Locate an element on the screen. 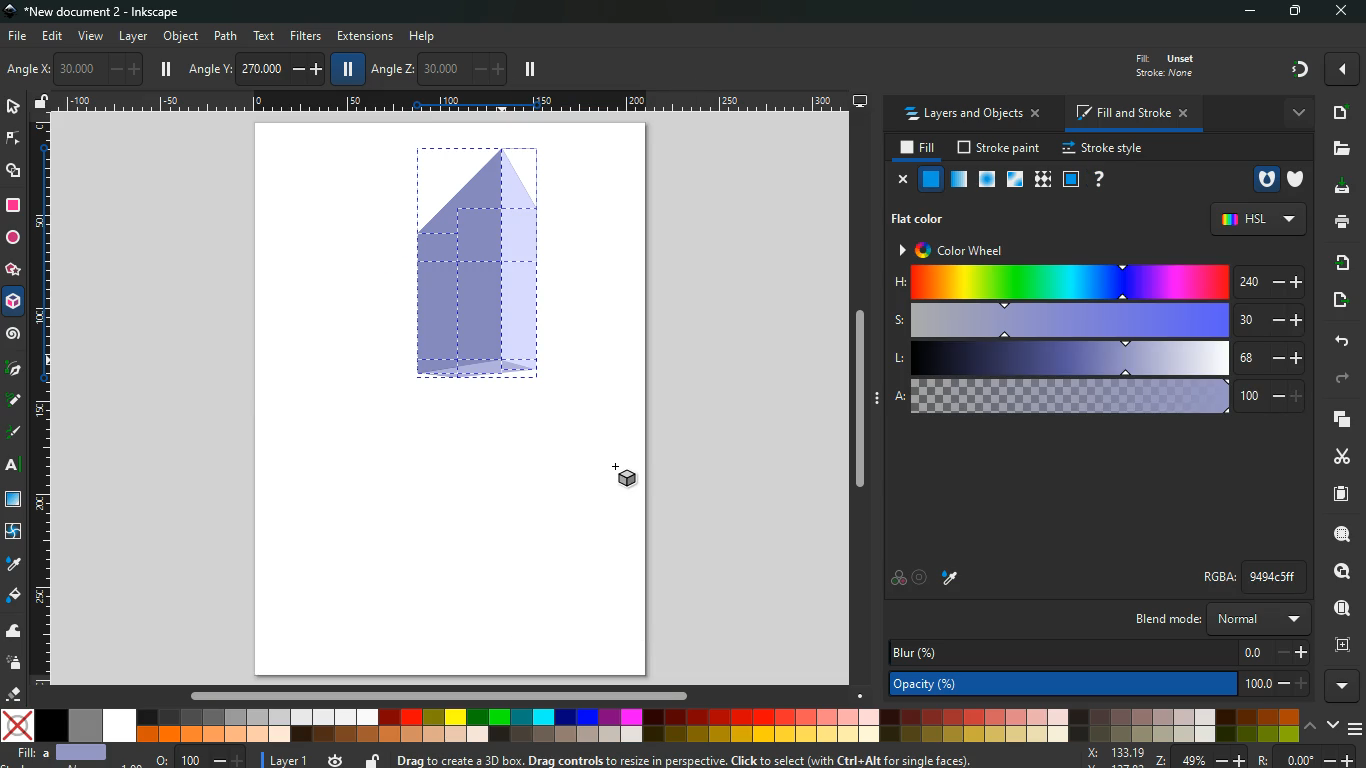 The height and width of the screenshot is (768, 1366). message is located at coordinates (729, 759).